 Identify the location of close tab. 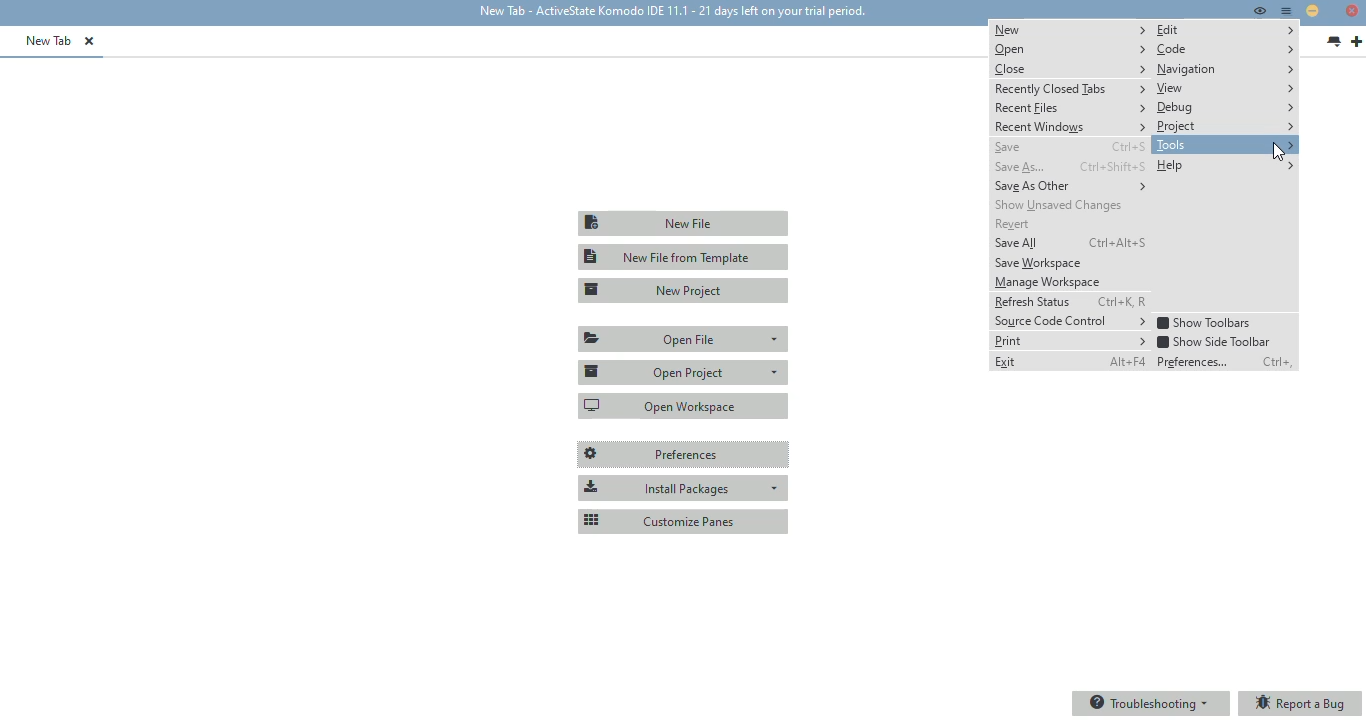
(89, 41).